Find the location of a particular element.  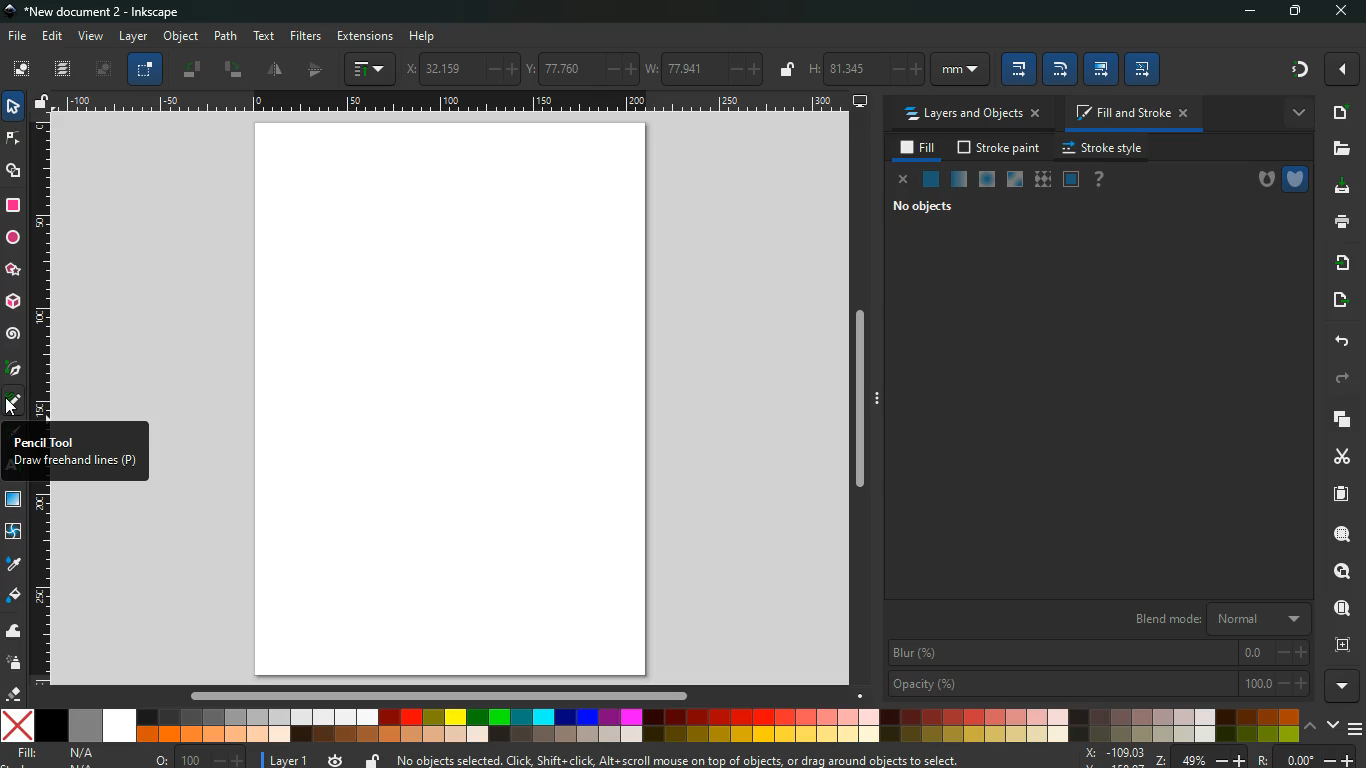

drop is located at coordinates (15, 567).